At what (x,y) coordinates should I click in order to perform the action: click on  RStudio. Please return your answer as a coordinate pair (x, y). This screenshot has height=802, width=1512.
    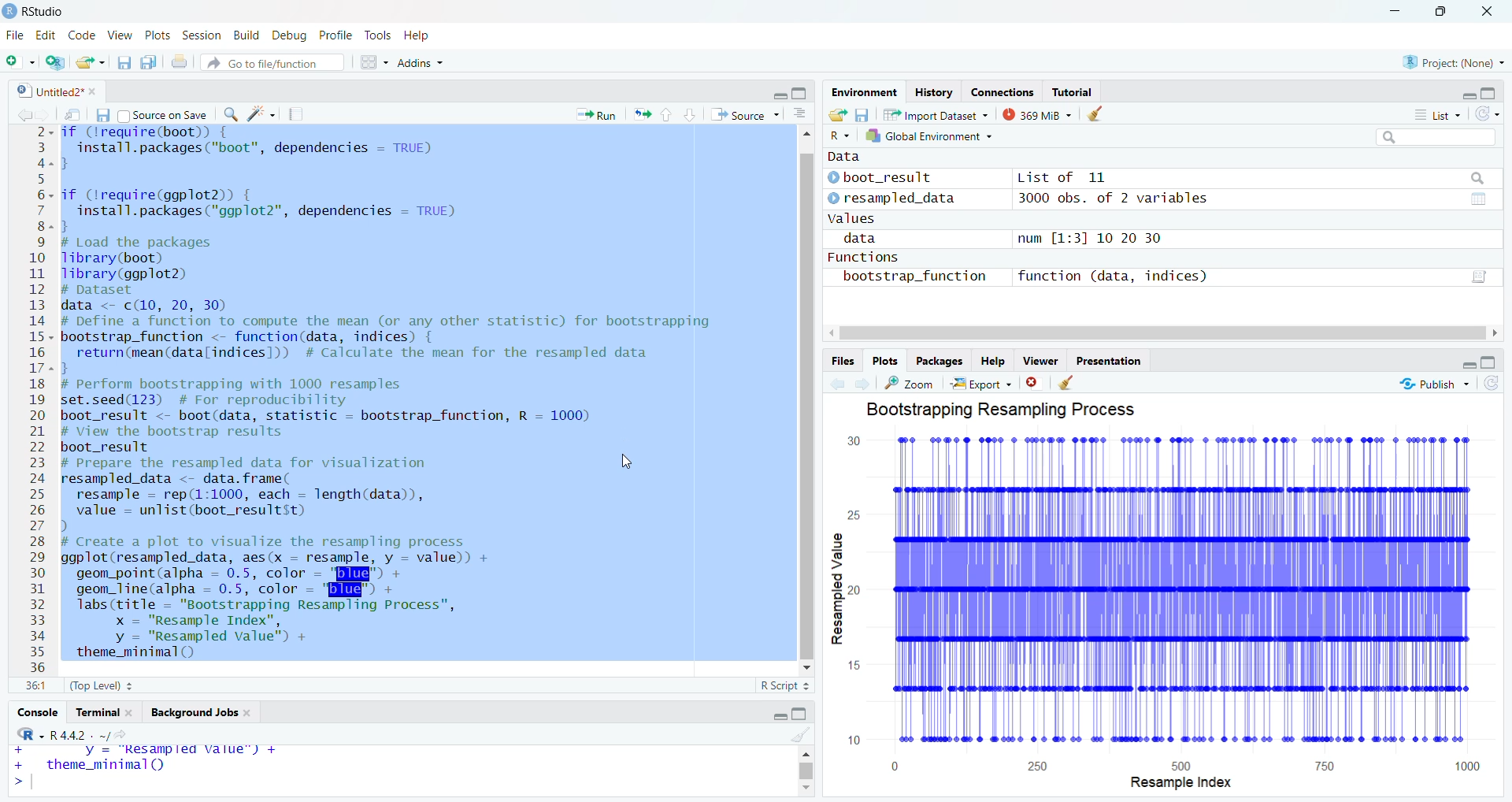
    Looking at the image, I should click on (43, 9).